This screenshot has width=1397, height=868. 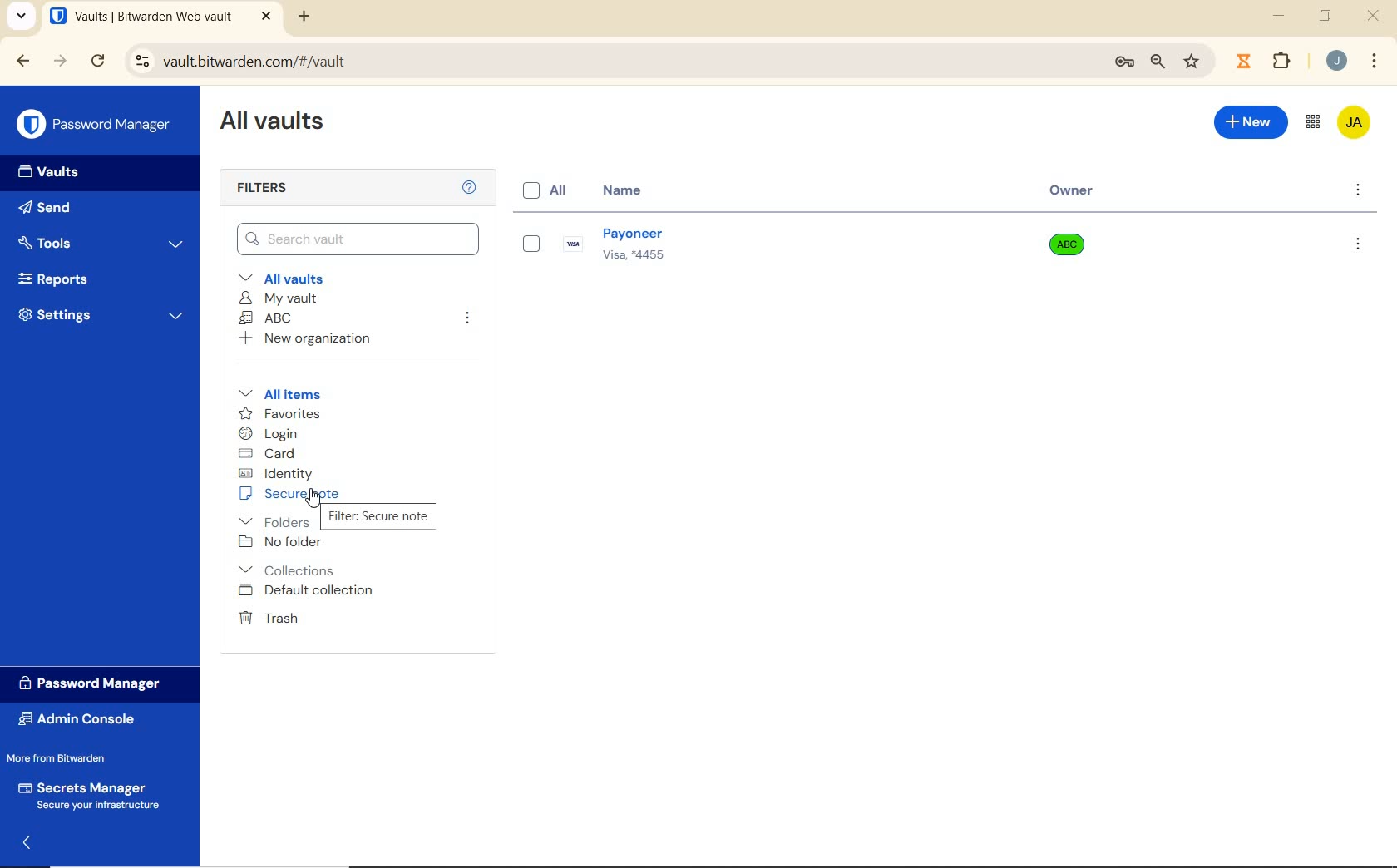 What do you see at coordinates (290, 570) in the screenshot?
I see `Collections` at bounding box center [290, 570].